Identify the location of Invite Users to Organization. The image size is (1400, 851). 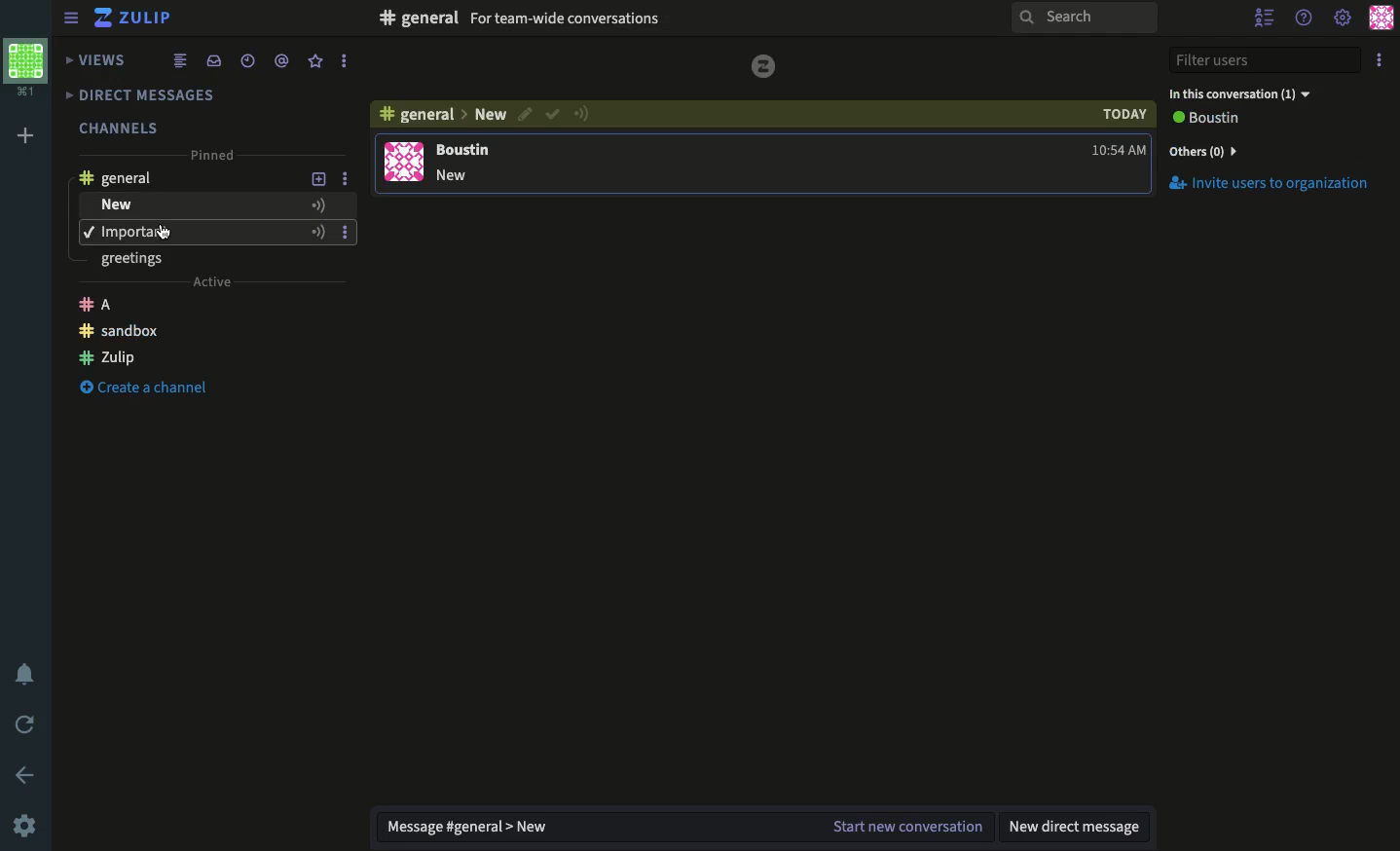
(1271, 185).